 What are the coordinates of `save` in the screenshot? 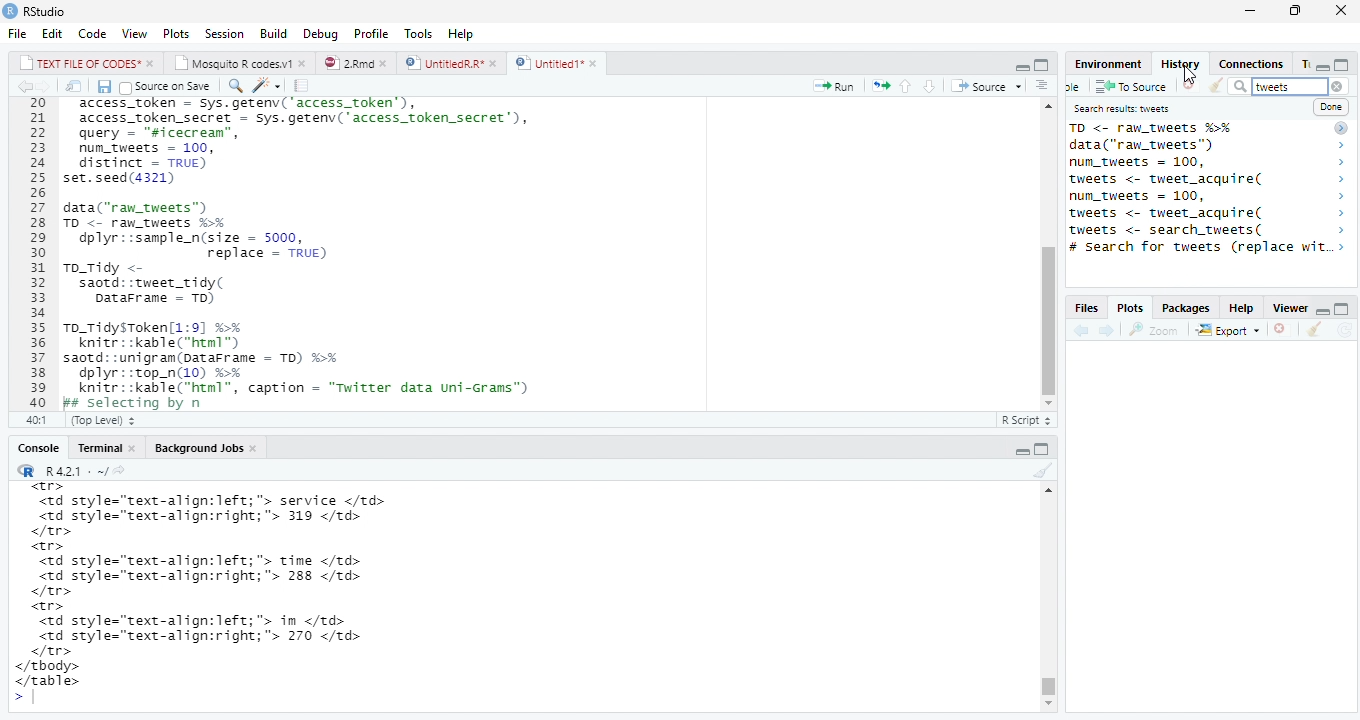 It's located at (1104, 86).